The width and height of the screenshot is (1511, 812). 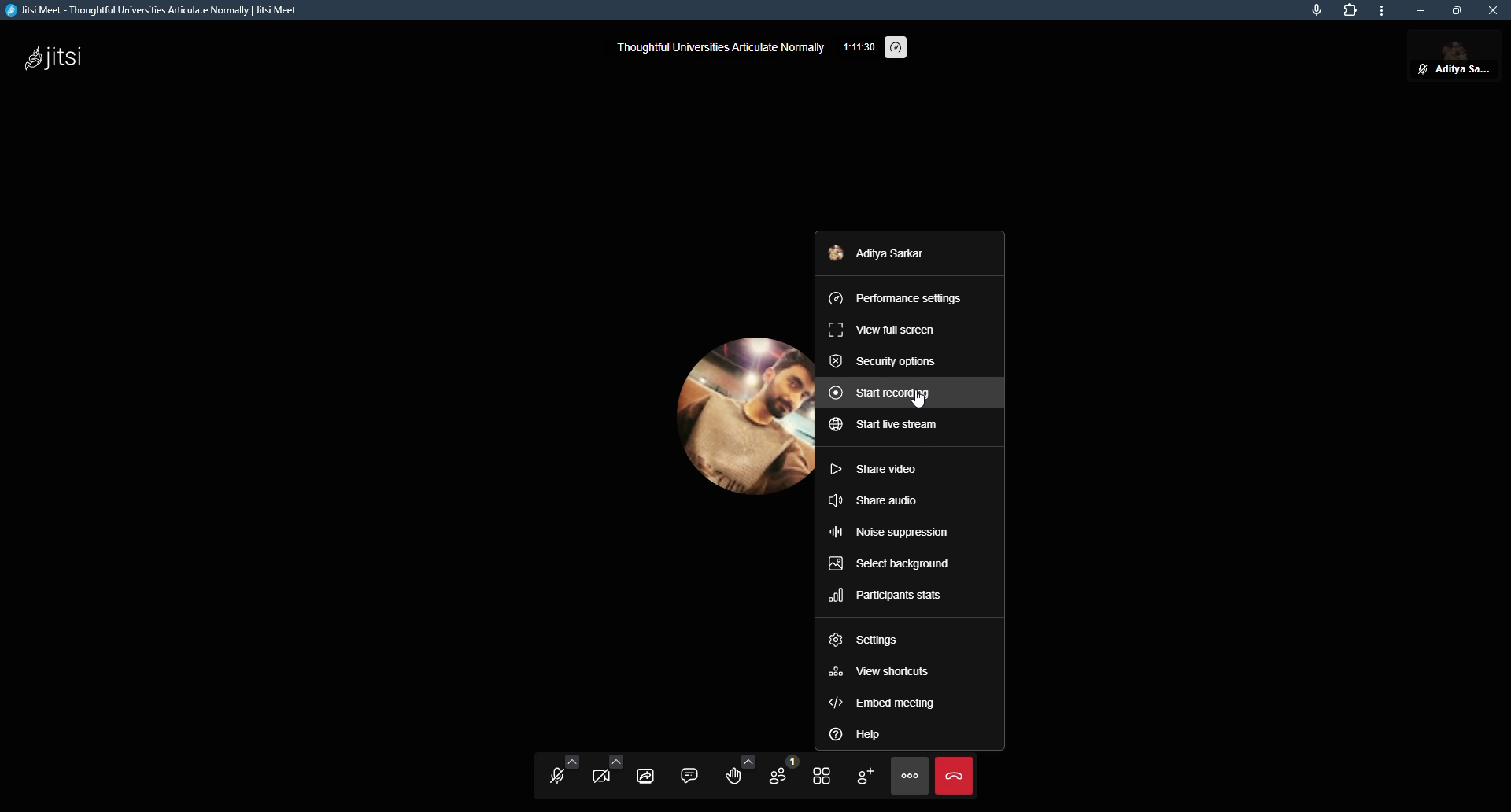 I want to click on noise suppression, so click(x=889, y=531).